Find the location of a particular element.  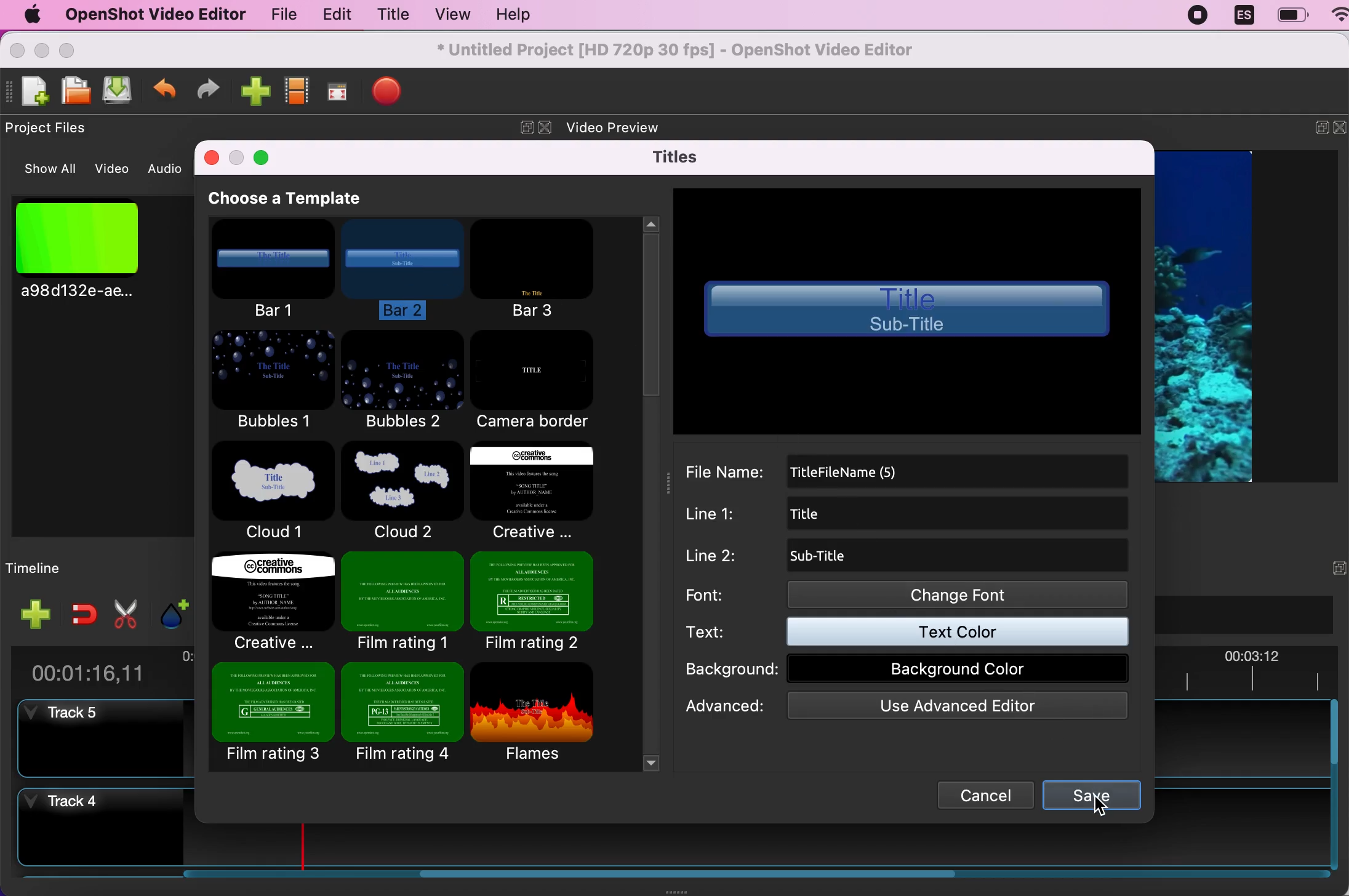

titles is located at coordinates (674, 156).